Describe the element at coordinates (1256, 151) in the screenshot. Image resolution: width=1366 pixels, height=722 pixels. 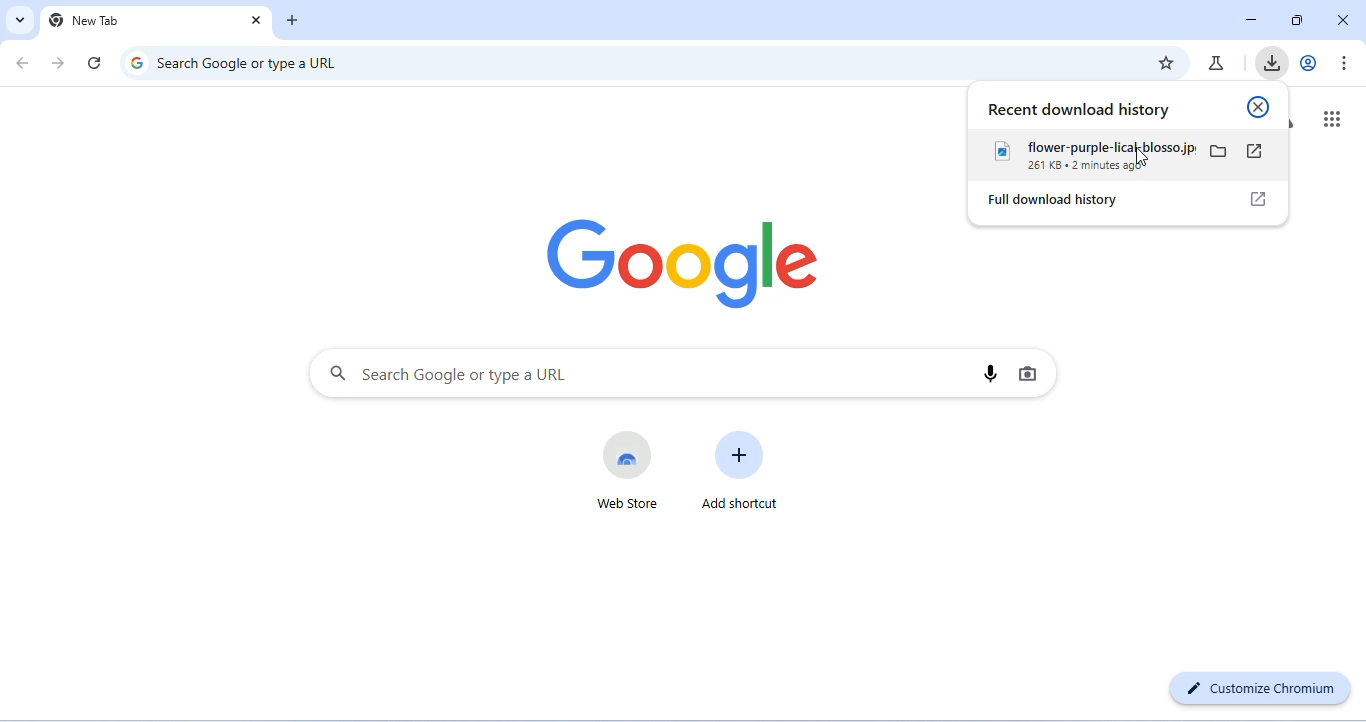
I see `open` at that location.